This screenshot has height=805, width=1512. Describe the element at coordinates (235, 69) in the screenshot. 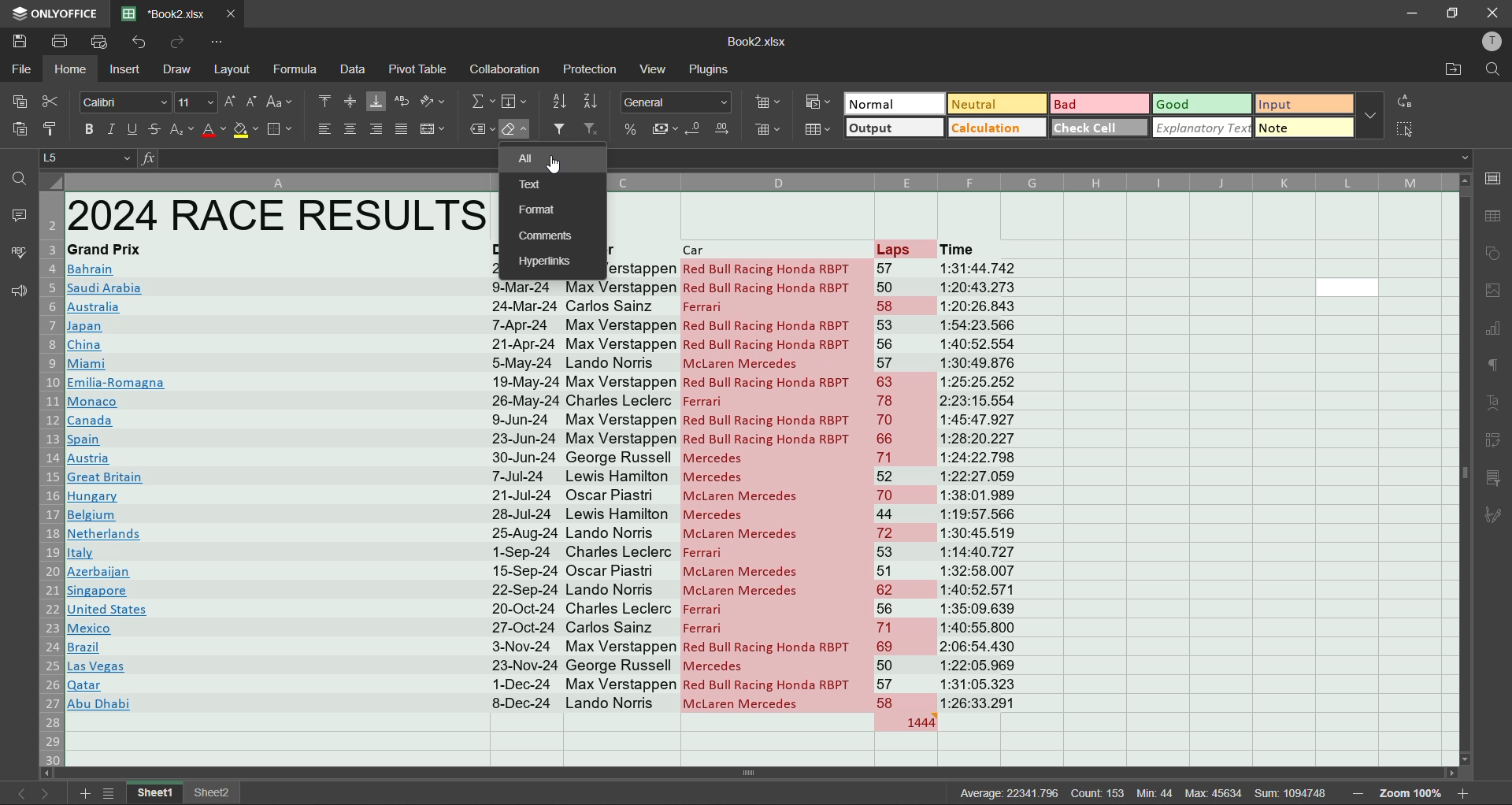

I see `layout` at that location.